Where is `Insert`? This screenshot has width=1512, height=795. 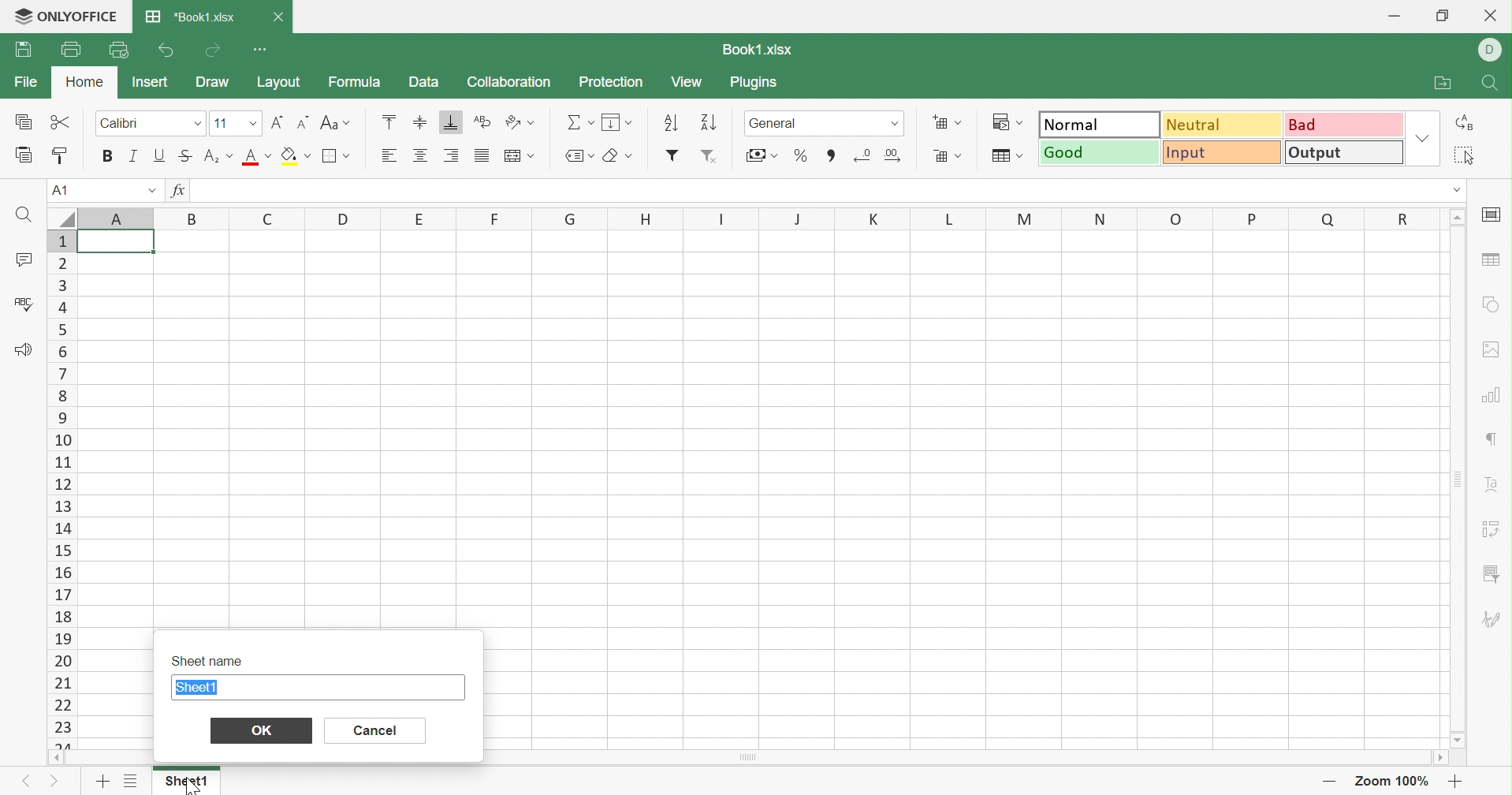
Insert is located at coordinates (152, 82).